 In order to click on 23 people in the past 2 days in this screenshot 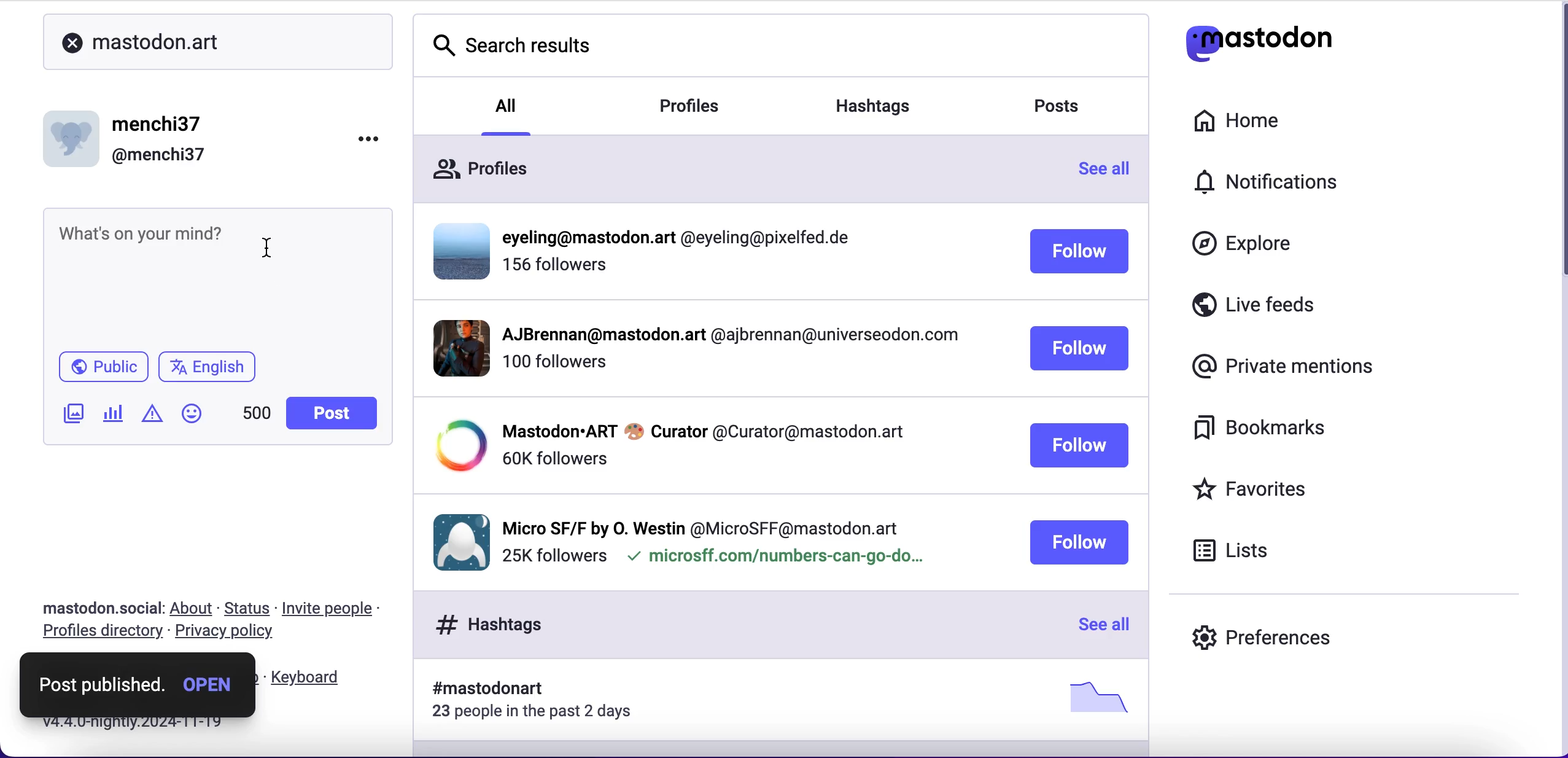, I will do `click(540, 714)`.